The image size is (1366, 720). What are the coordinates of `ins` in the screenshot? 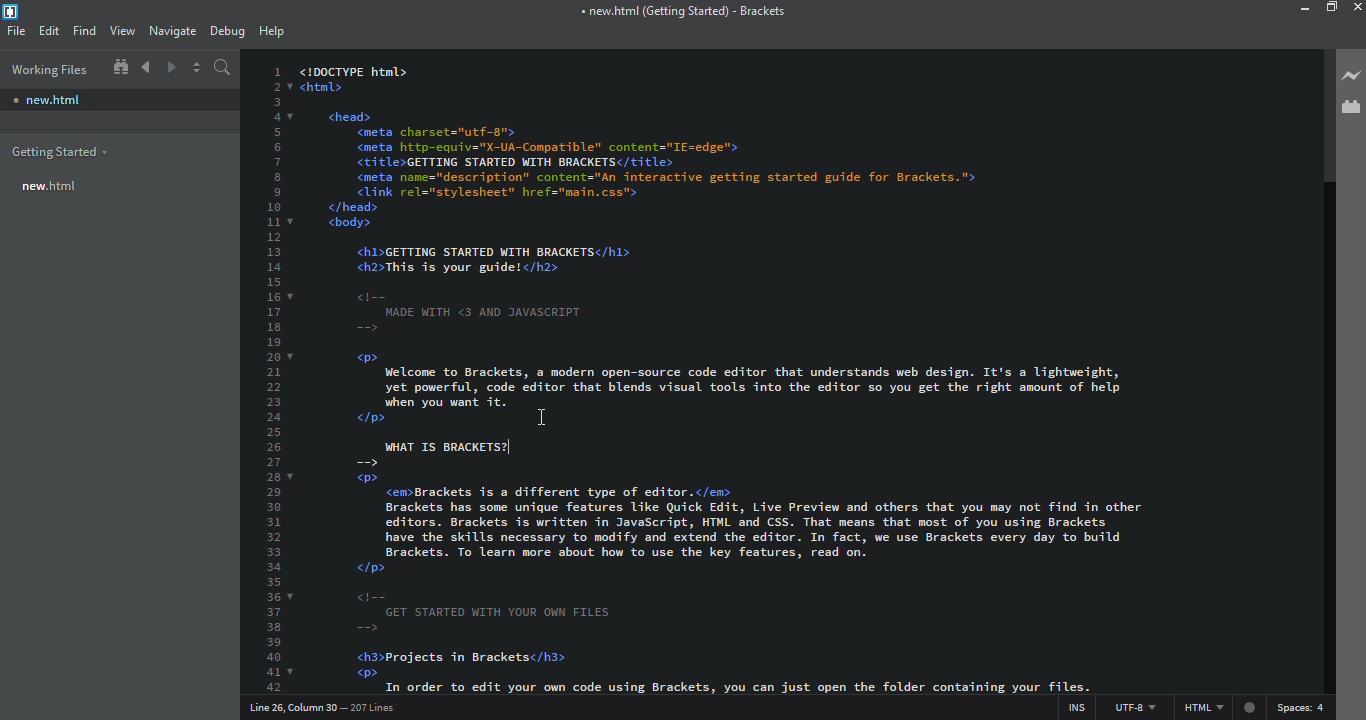 It's located at (1075, 705).